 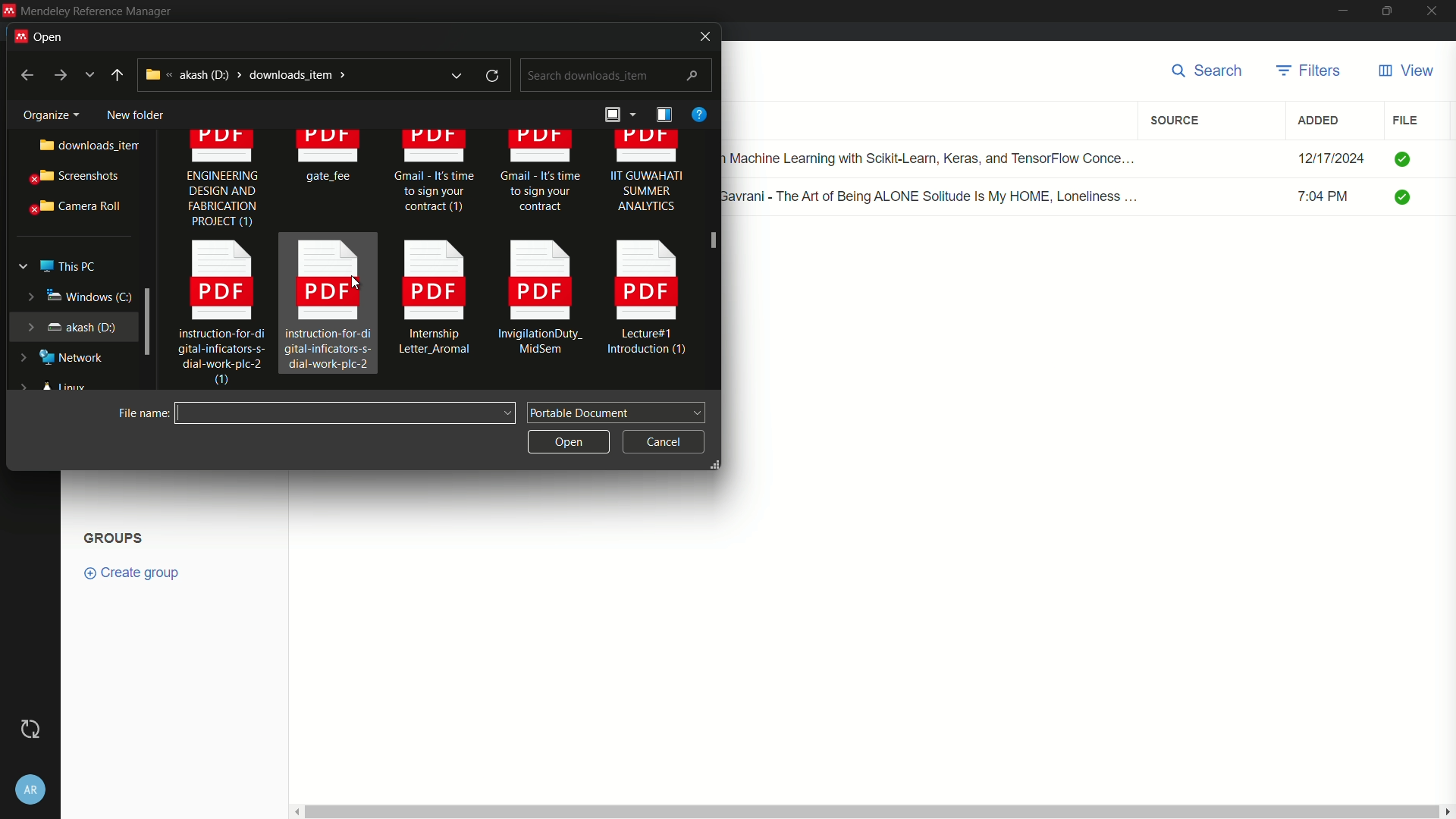 What do you see at coordinates (67, 263) in the screenshot?
I see `this pc` at bounding box center [67, 263].